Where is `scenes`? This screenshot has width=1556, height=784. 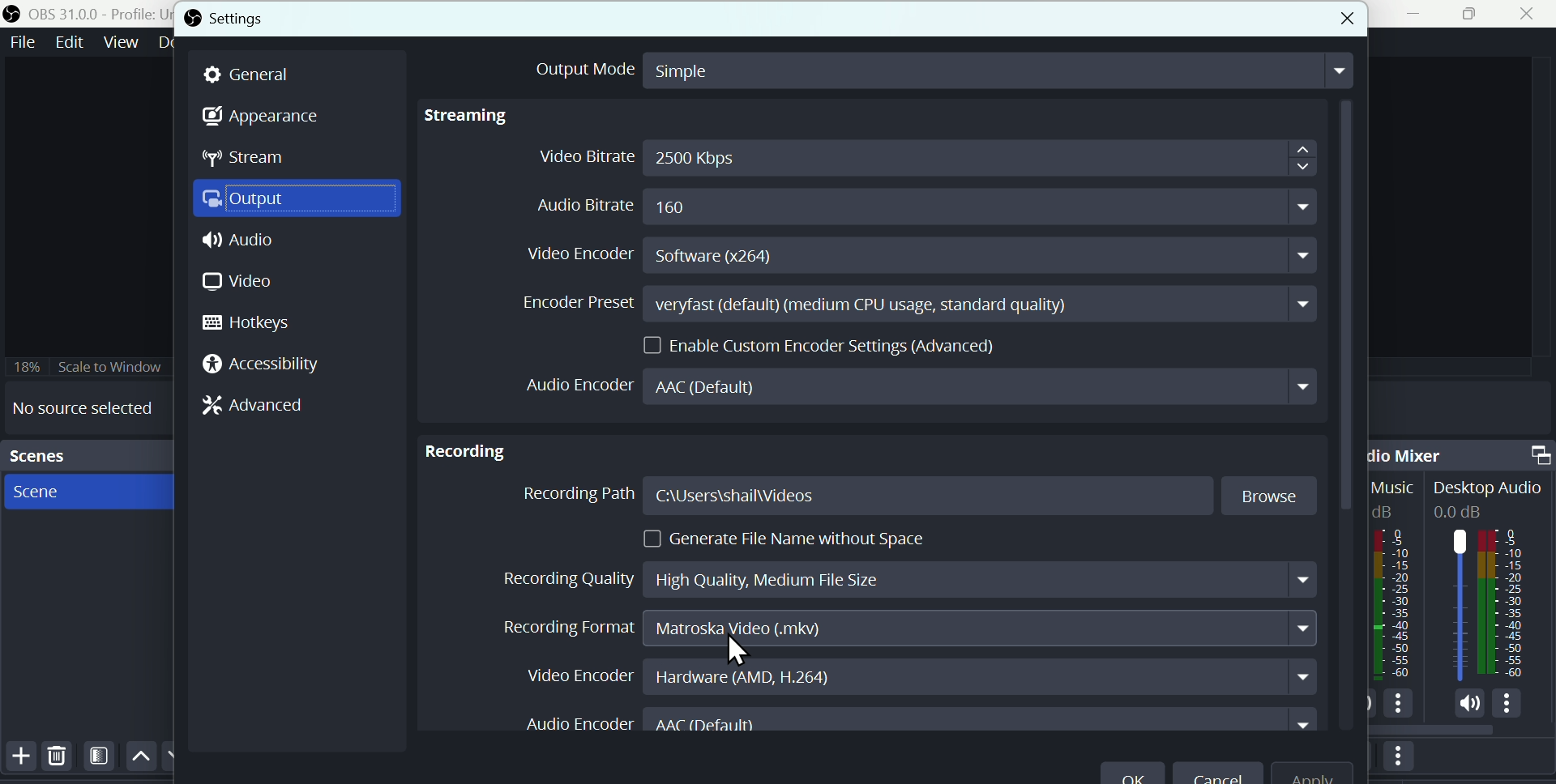
scenes is located at coordinates (86, 458).